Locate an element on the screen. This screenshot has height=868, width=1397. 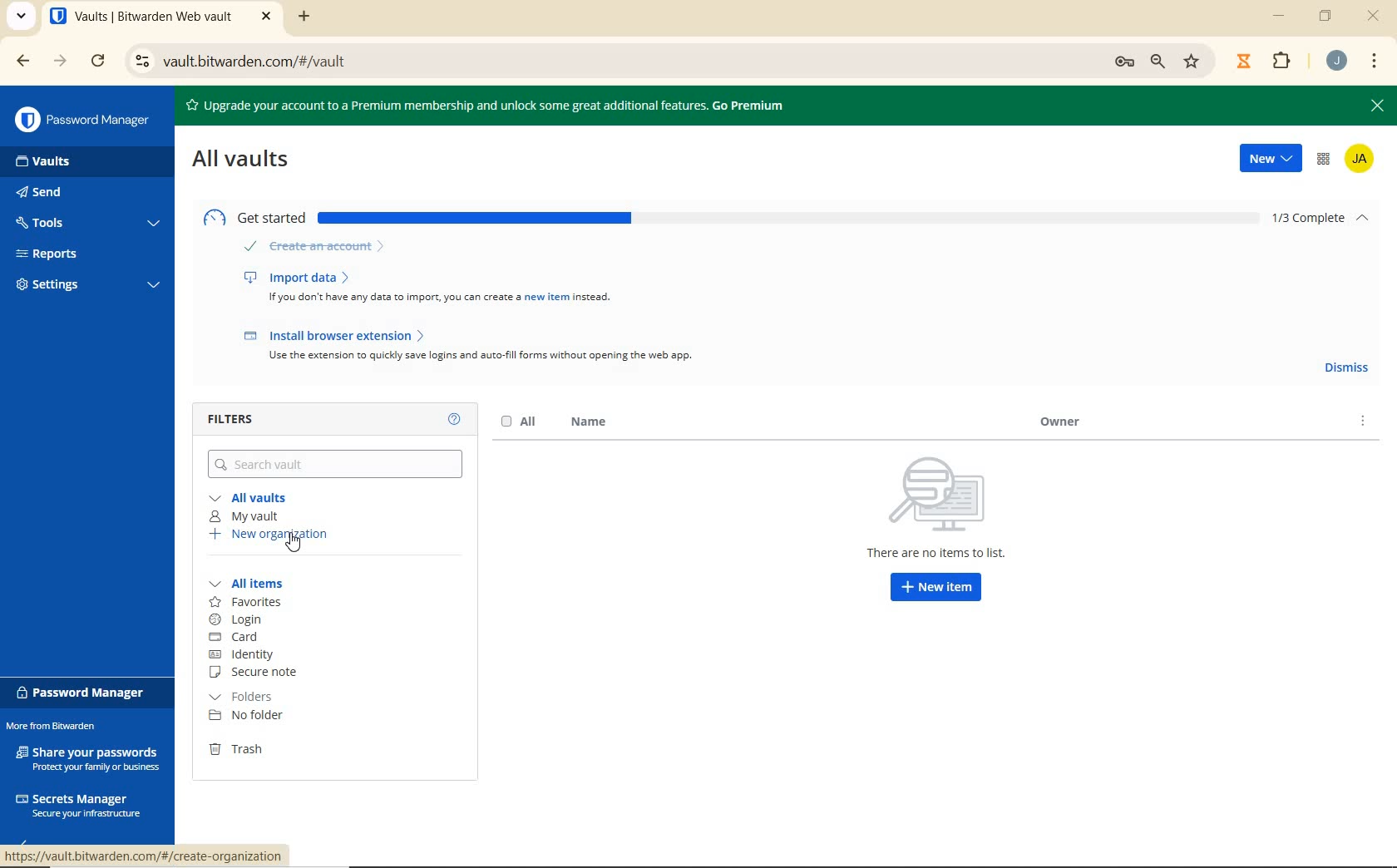
owner is located at coordinates (1054, 423).